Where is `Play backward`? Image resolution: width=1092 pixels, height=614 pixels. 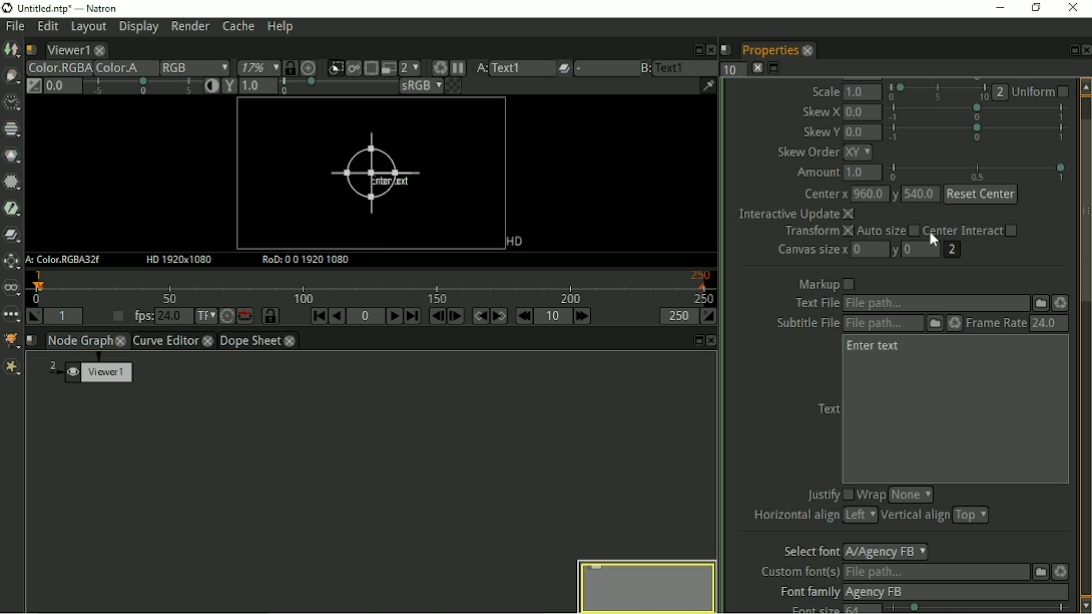 Play backward is located at coordinates (337, 316).